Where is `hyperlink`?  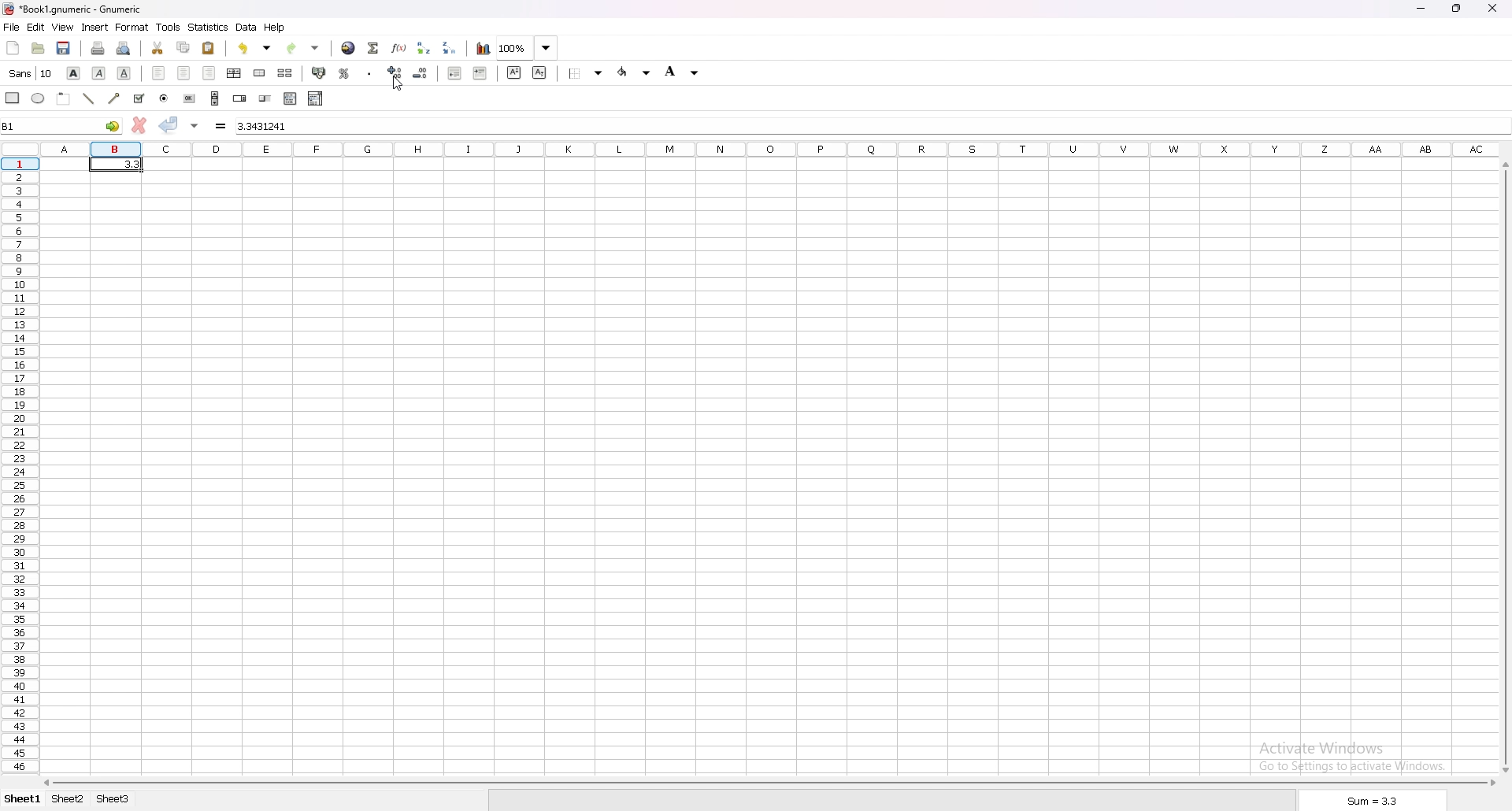
hyperlink is located at coordinates (349, 49).